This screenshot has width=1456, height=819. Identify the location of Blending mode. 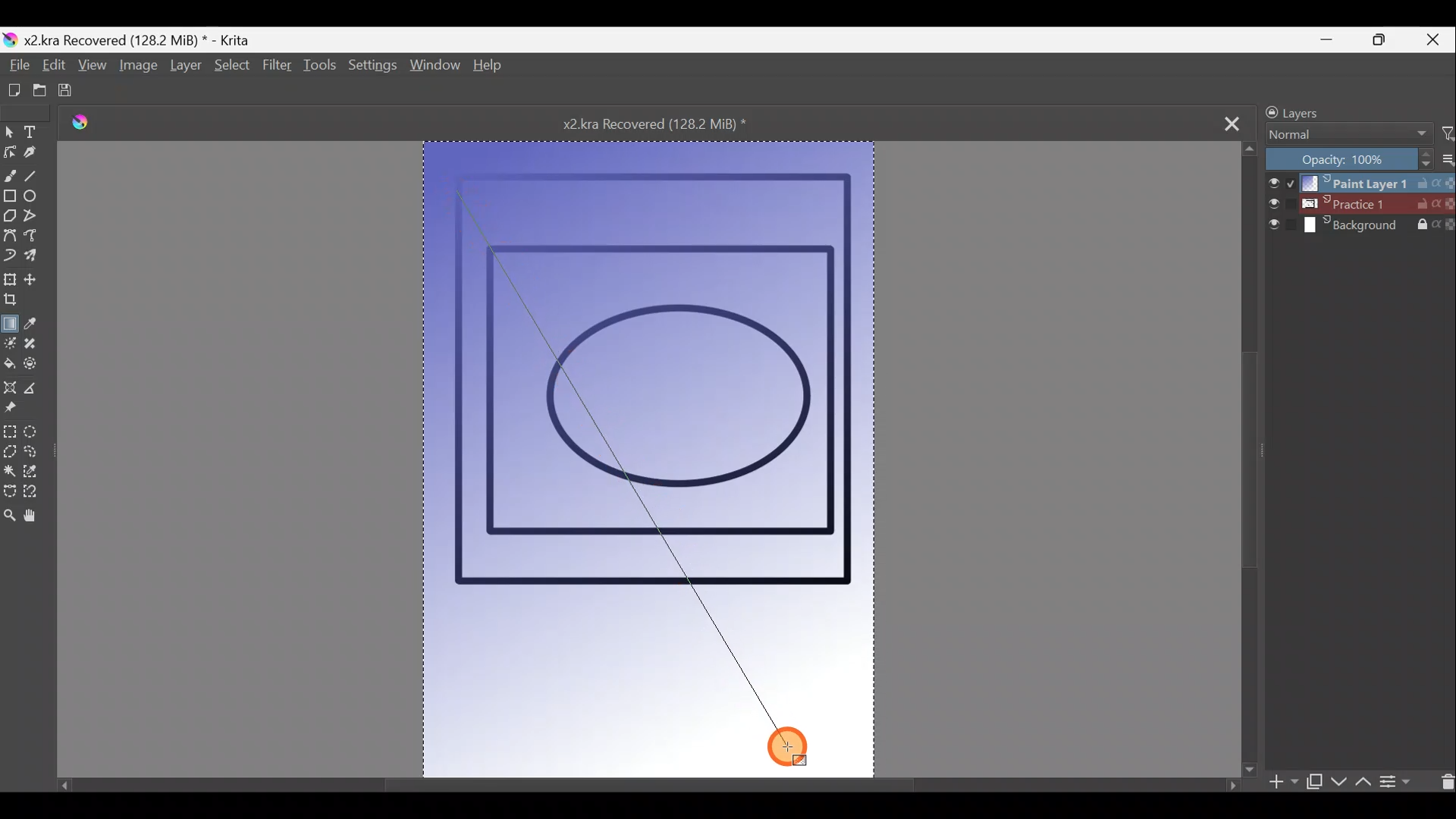
(1343, 136).